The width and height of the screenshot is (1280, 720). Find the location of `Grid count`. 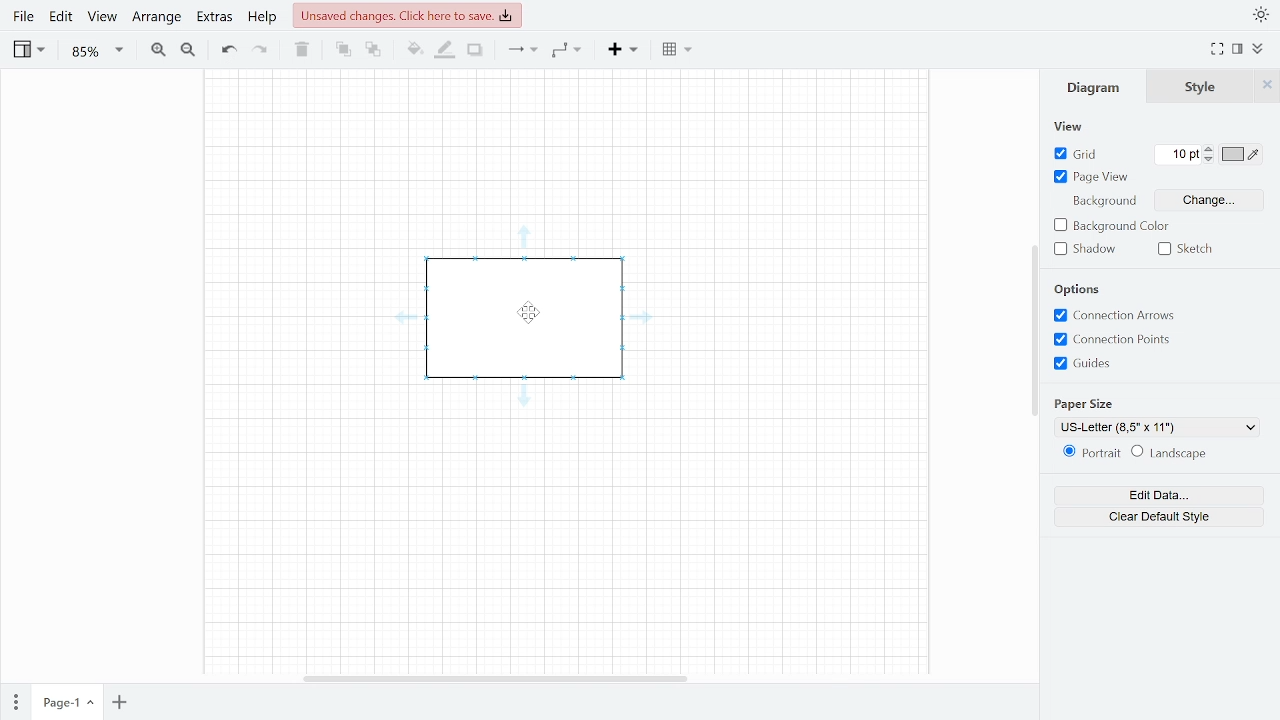

Grid count is located at coordinates (1180, 154).